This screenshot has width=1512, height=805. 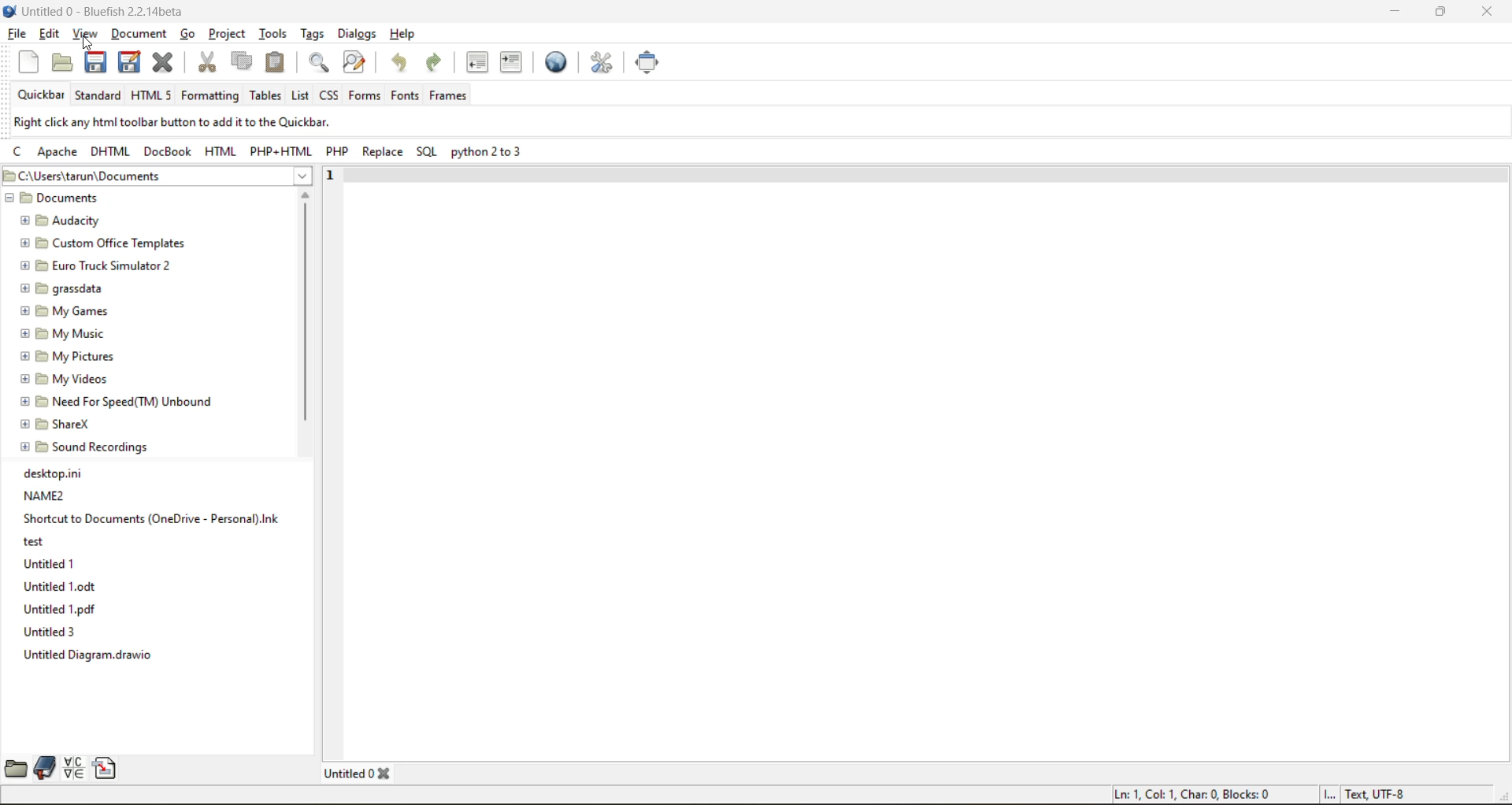 I want to click on quickbar, so click(x=42, y=93).